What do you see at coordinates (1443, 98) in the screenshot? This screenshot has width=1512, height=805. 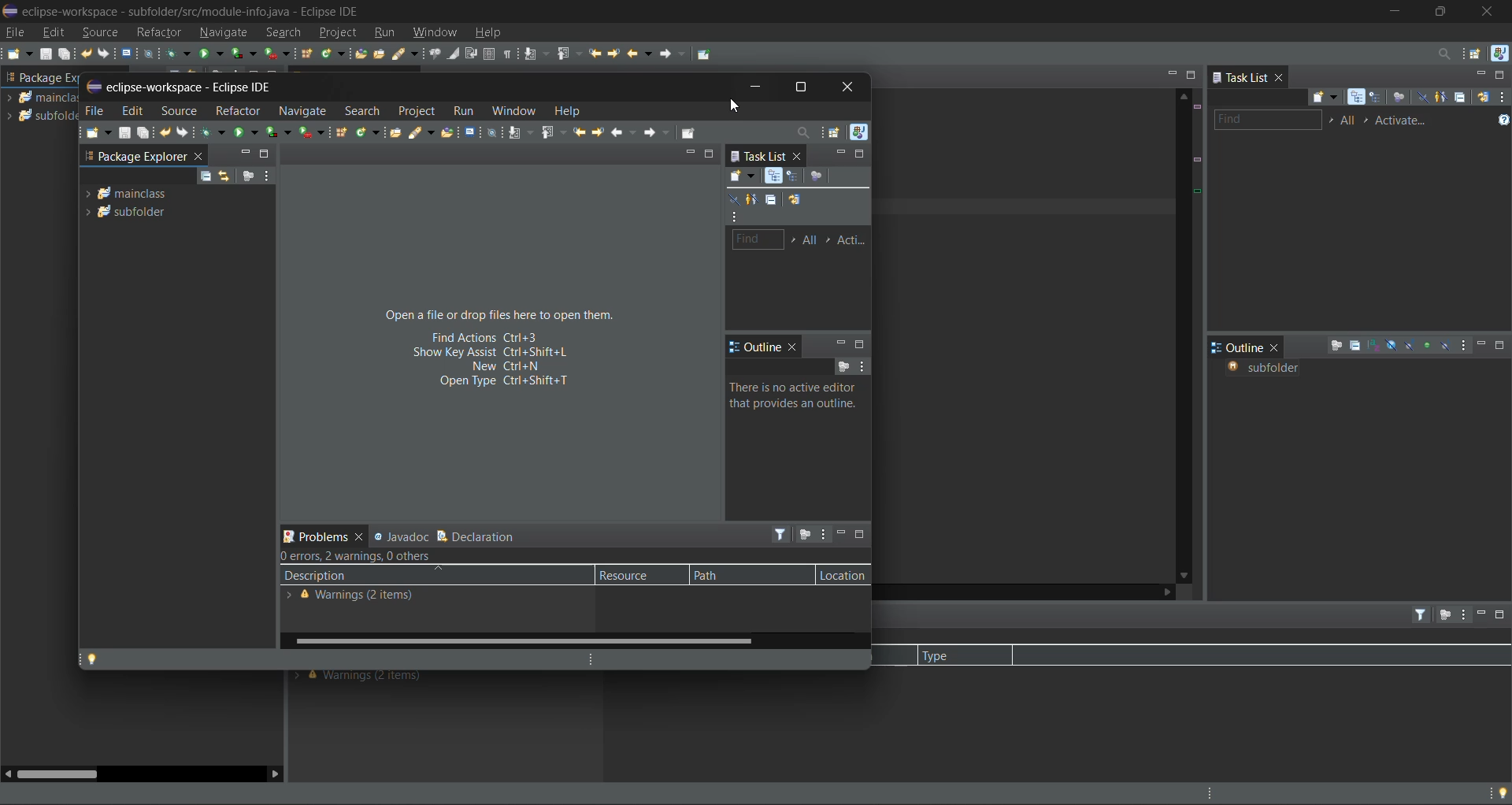 I see `show only my tasks` at bounding box center [1443, 98].